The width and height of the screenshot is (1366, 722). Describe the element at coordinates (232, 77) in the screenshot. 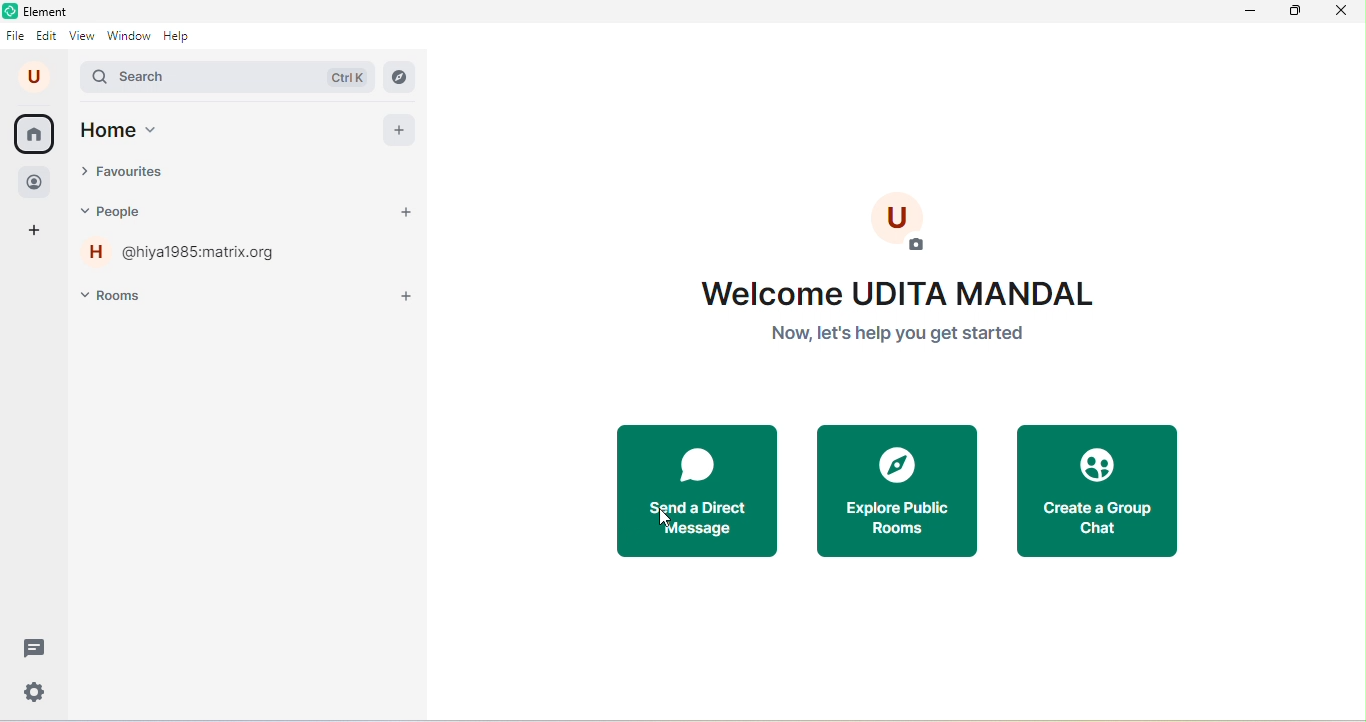

I see `search` at that location.